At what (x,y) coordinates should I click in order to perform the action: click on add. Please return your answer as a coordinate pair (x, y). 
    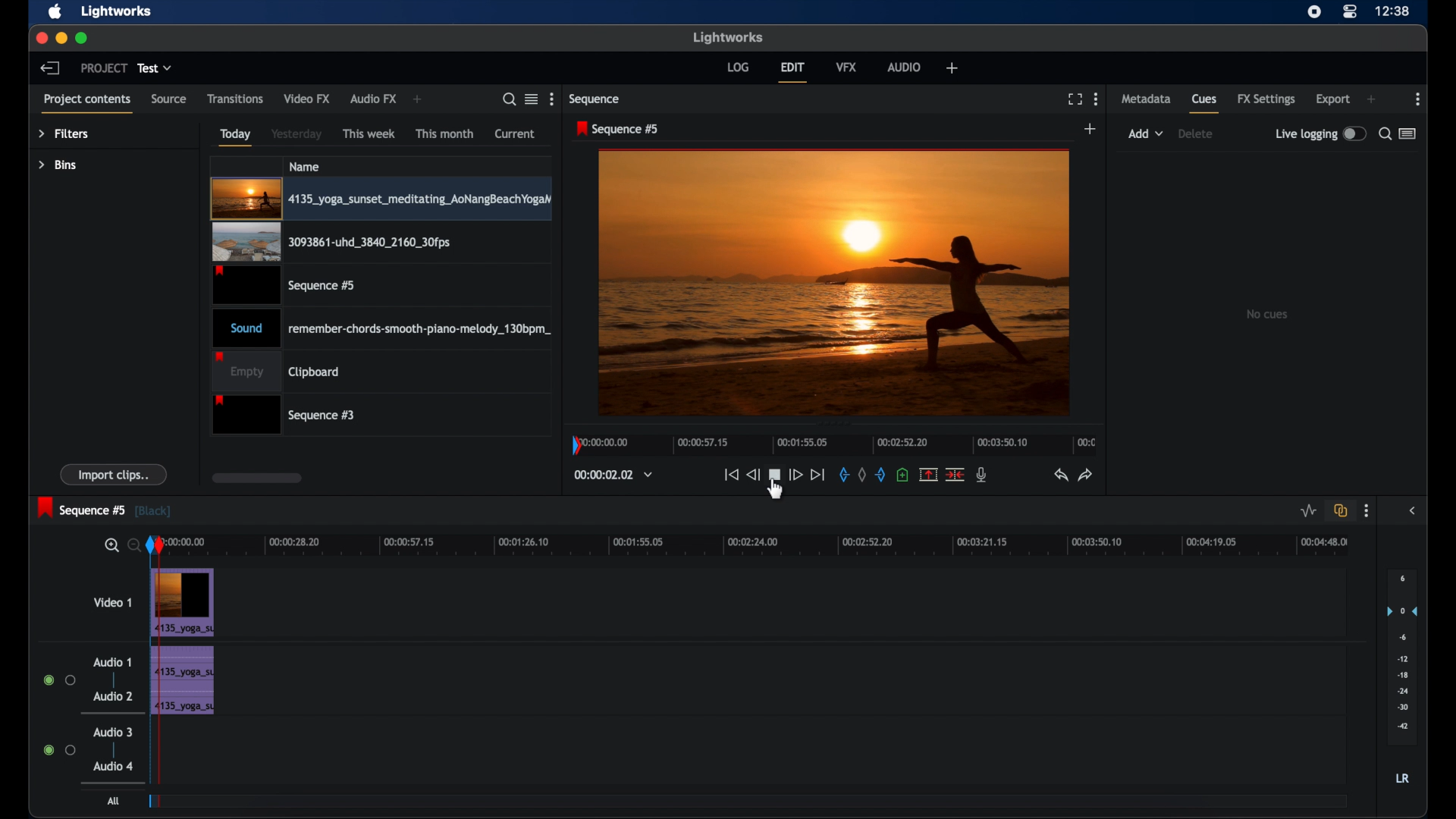
    Looking at the image, I should click on (418, 99).